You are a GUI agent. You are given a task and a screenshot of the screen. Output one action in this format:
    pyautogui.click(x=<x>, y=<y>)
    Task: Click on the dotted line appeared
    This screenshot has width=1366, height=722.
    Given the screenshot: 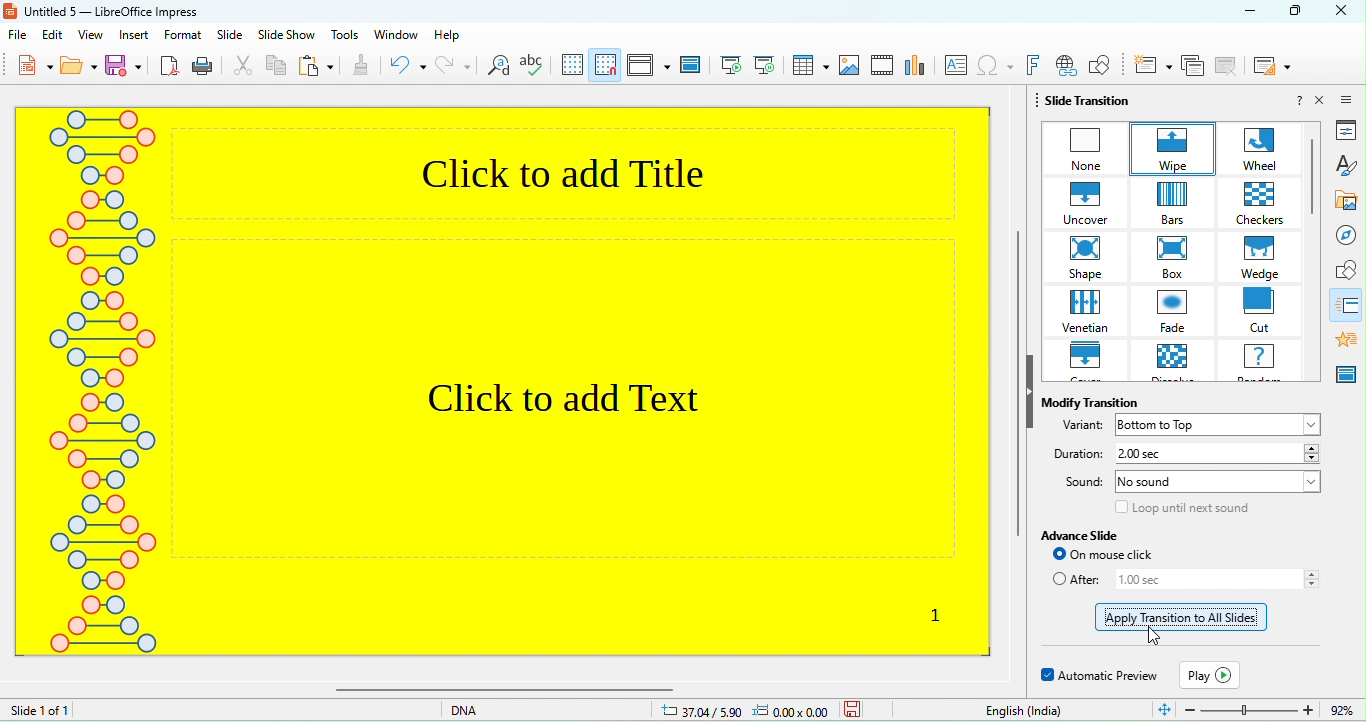 What is the action you would take?
    pyautogui.click(x=1183, y=616)
    